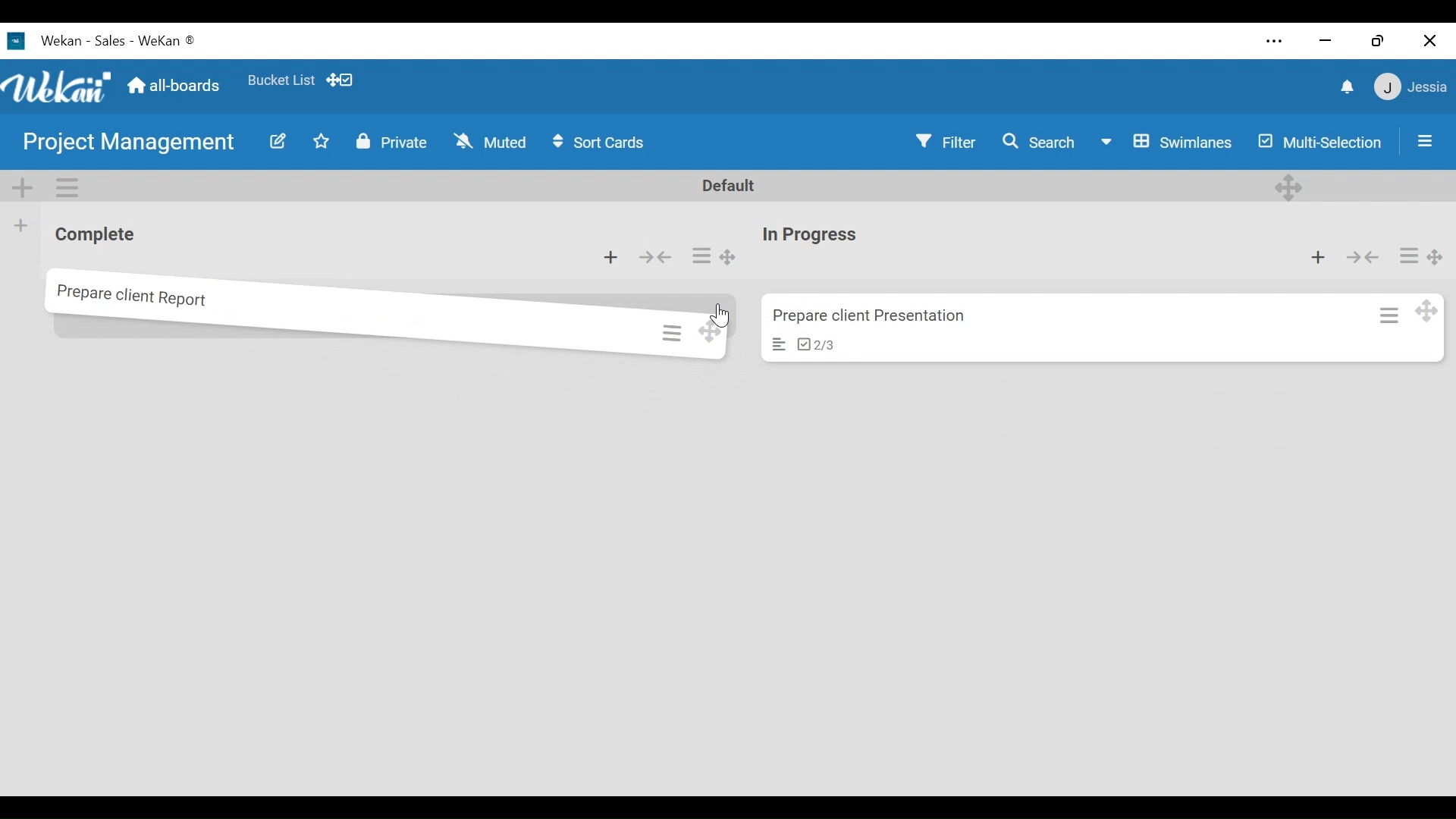 This screenshot has height=819, width=1456. Describe the element at coordinates (1410, 87) in the screenshot. I see `jessie` at that location.